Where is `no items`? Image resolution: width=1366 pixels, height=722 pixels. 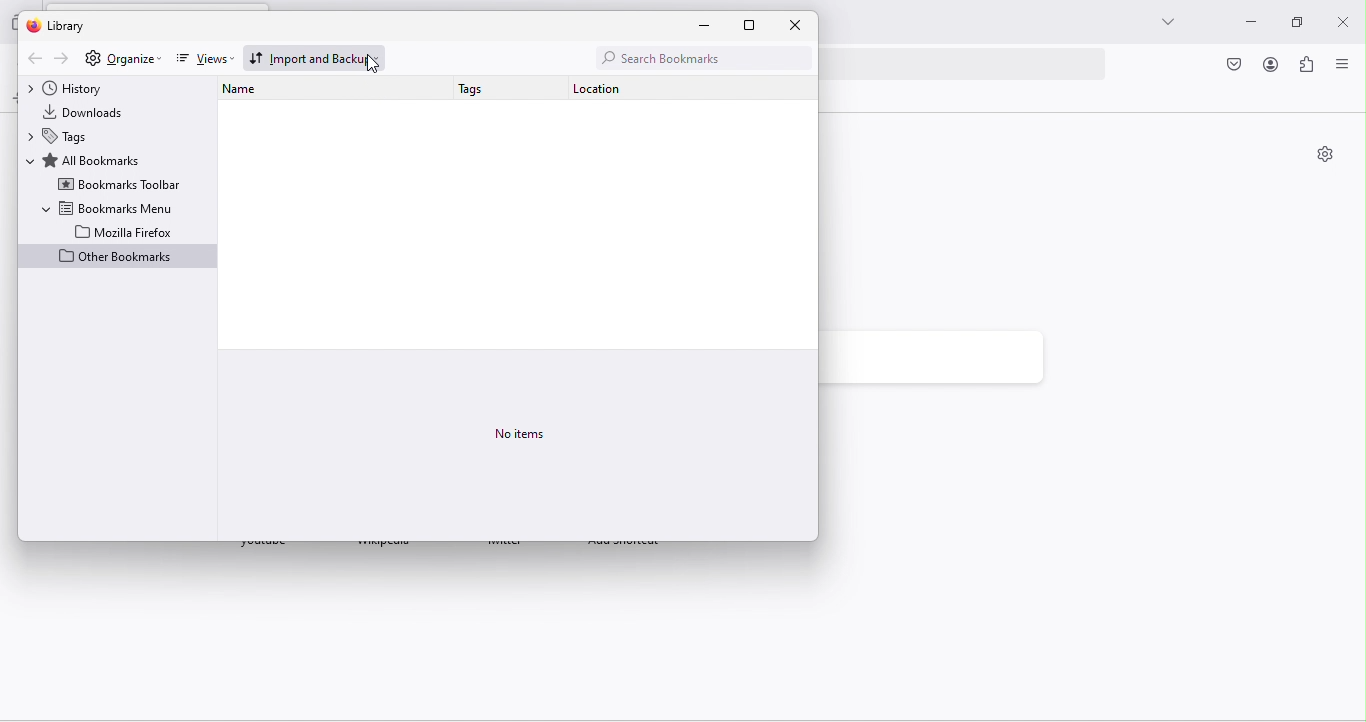 no items is located at coordinates (528, 429).